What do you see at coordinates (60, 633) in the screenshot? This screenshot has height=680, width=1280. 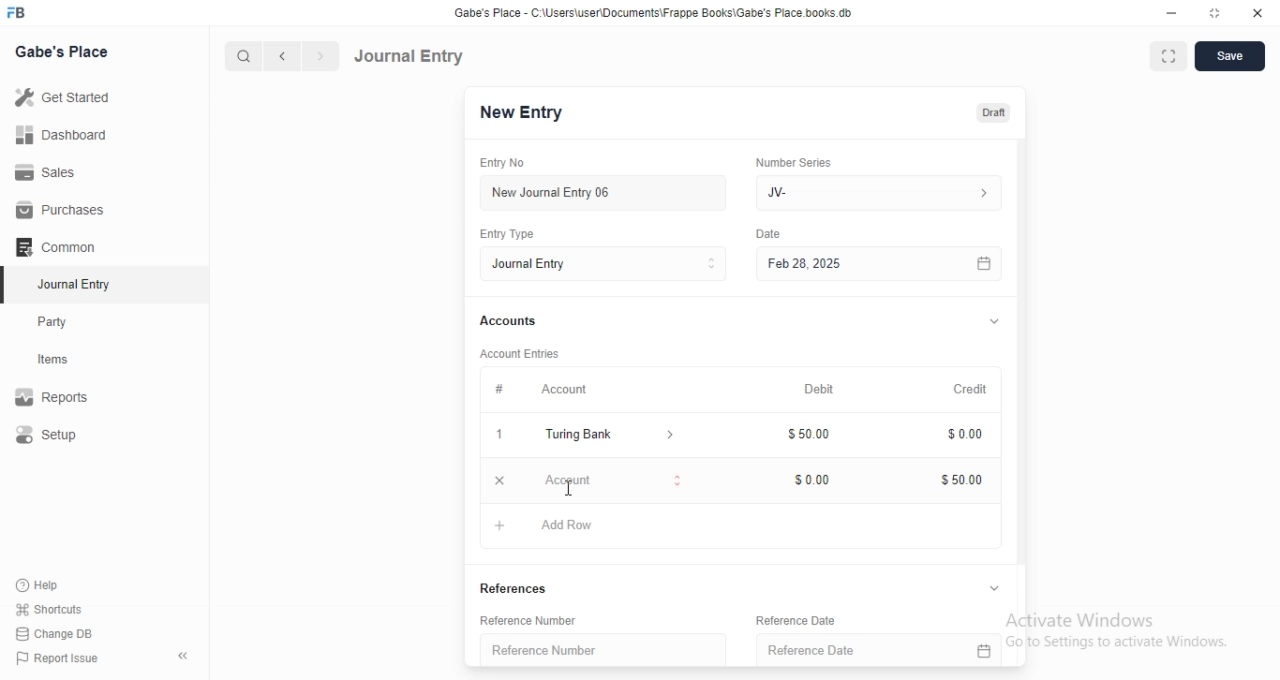 I see `Change DB` at bounding box center [60, 633].